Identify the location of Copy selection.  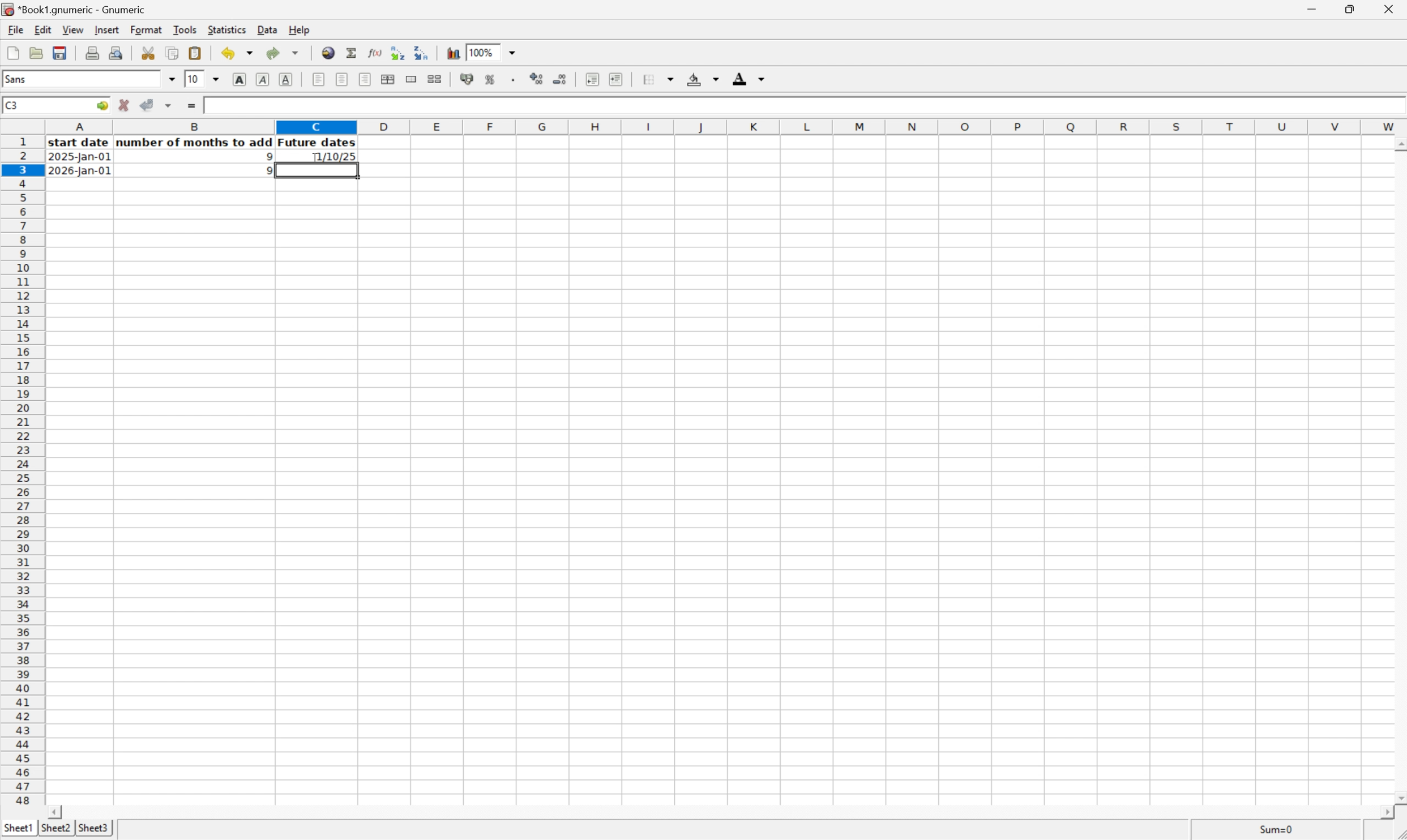
(173, 53).